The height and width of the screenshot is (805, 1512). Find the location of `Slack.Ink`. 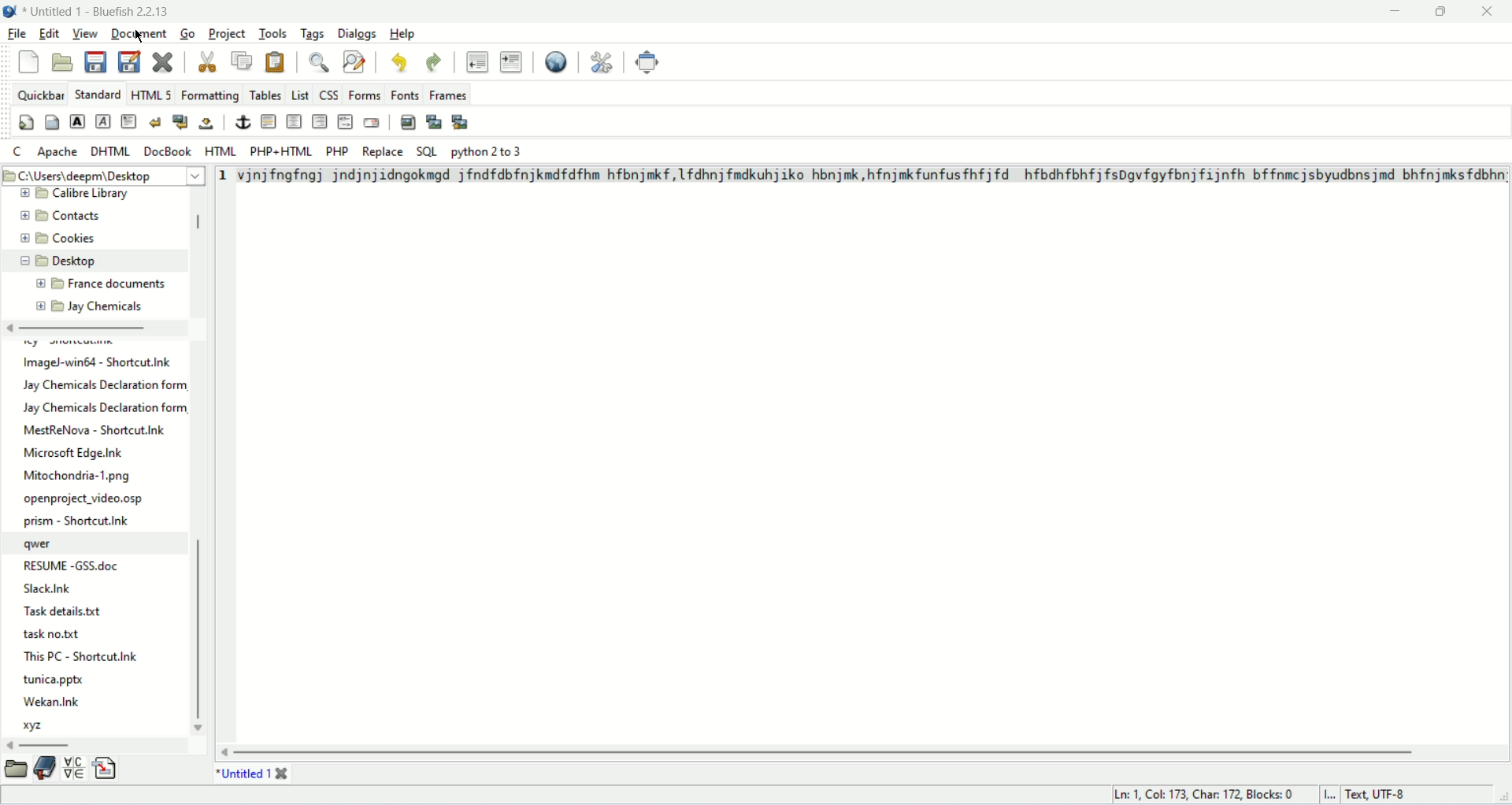

Slack.Ink is located at coordinates (57, 589).